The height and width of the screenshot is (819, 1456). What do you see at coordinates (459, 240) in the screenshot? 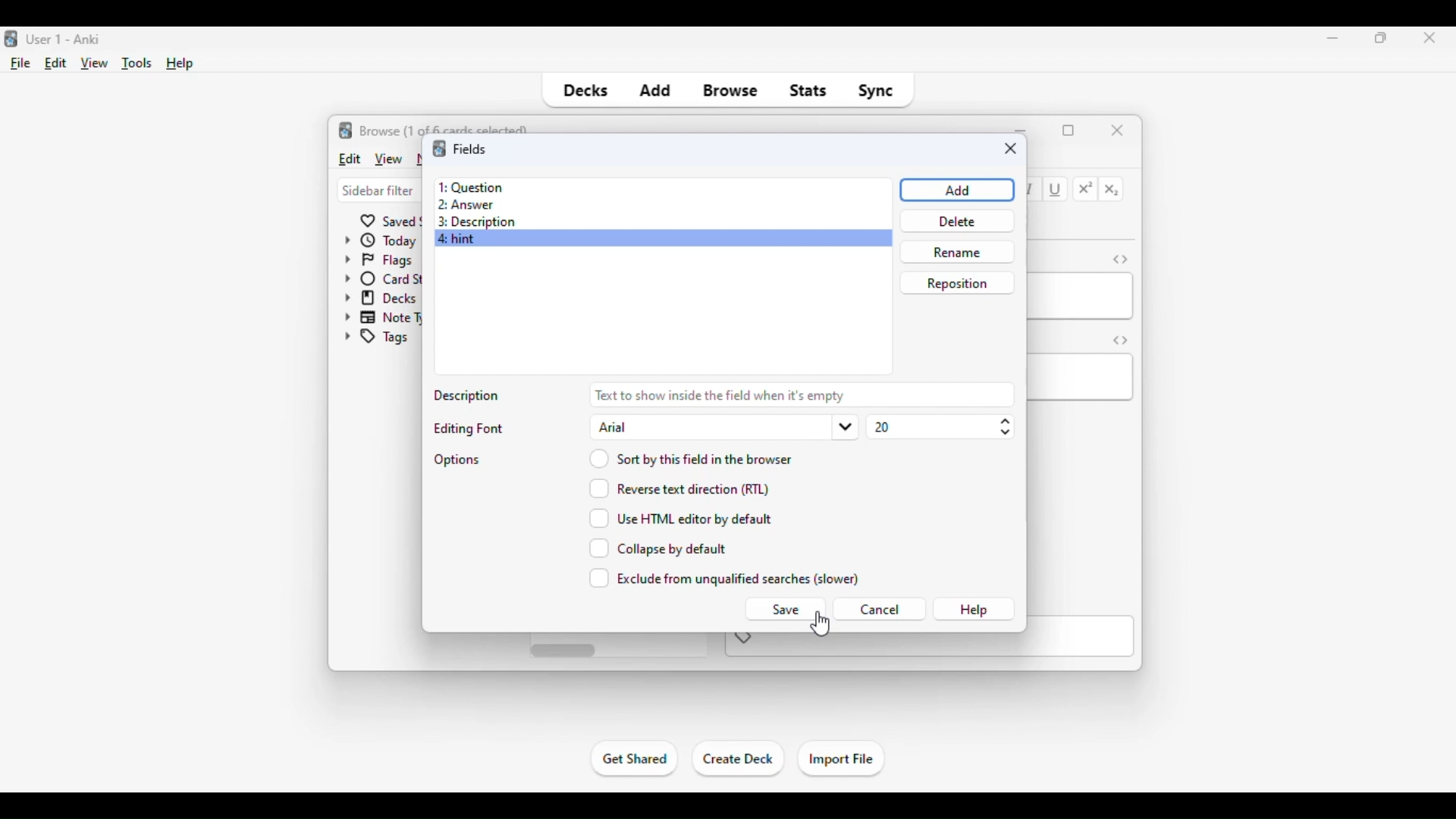
I see `4: hint` at bounding box center [459, 240].